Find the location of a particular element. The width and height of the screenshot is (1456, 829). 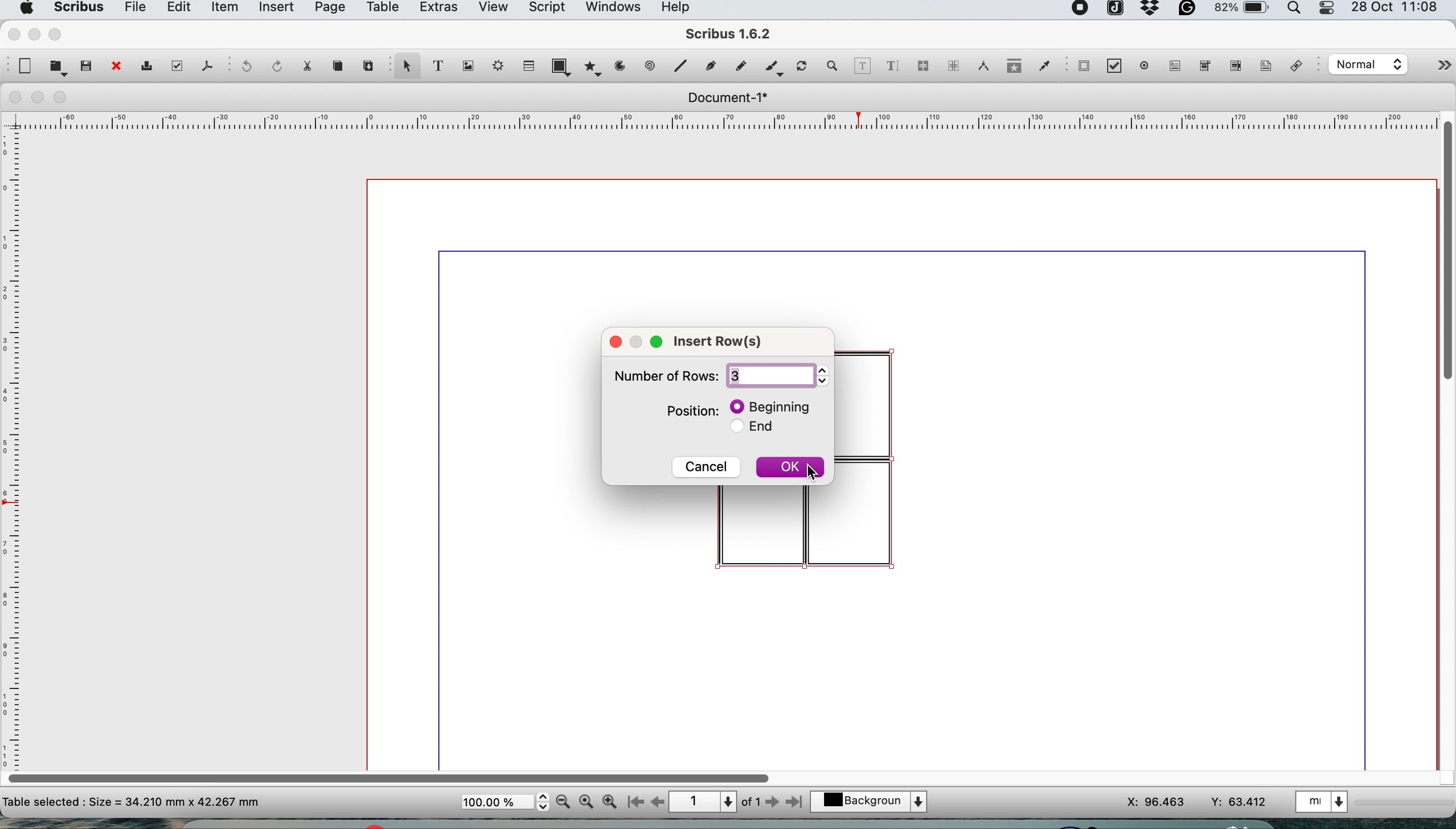

insert rows is located at coordinates (725, 343).